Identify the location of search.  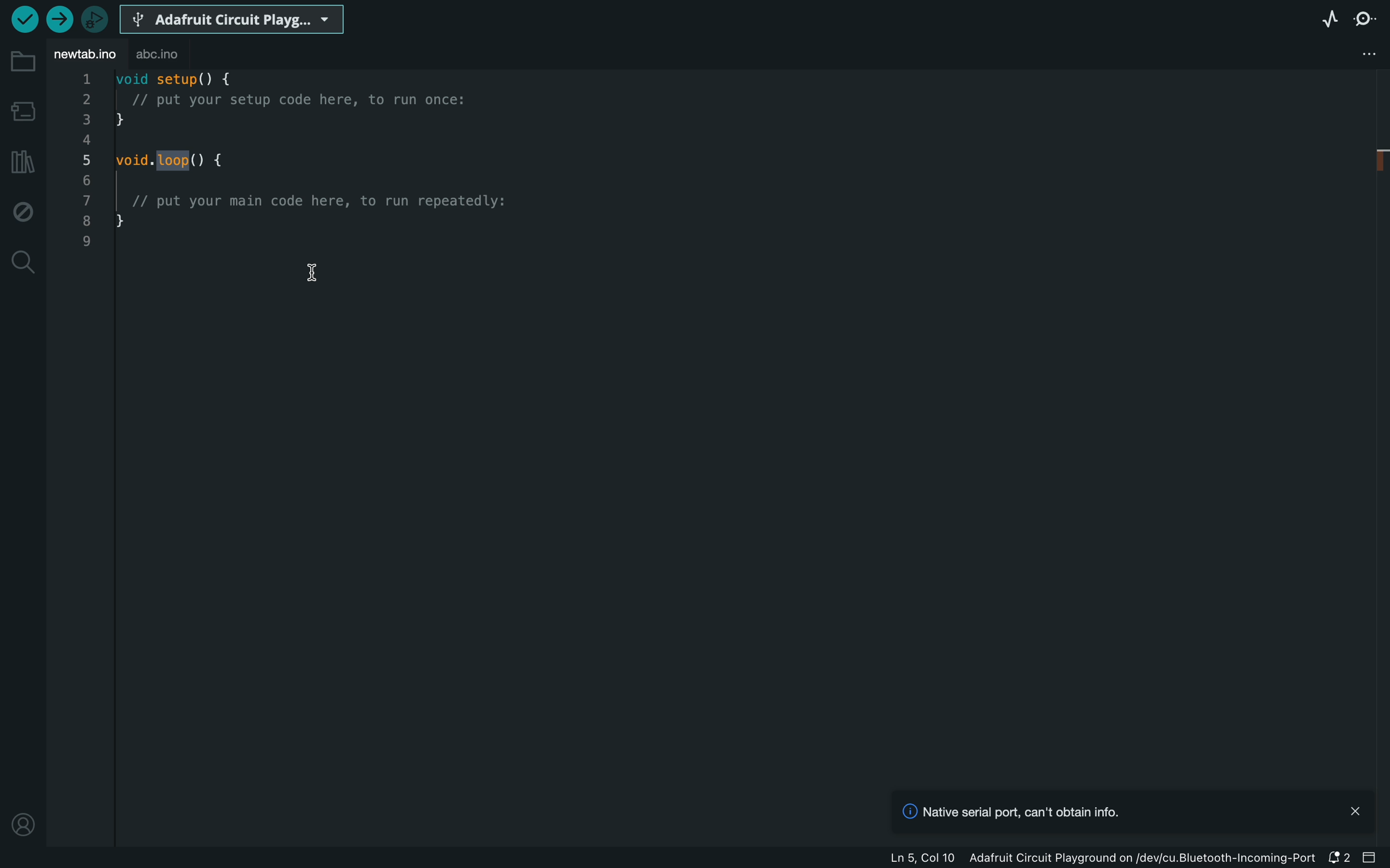
(22, 263).